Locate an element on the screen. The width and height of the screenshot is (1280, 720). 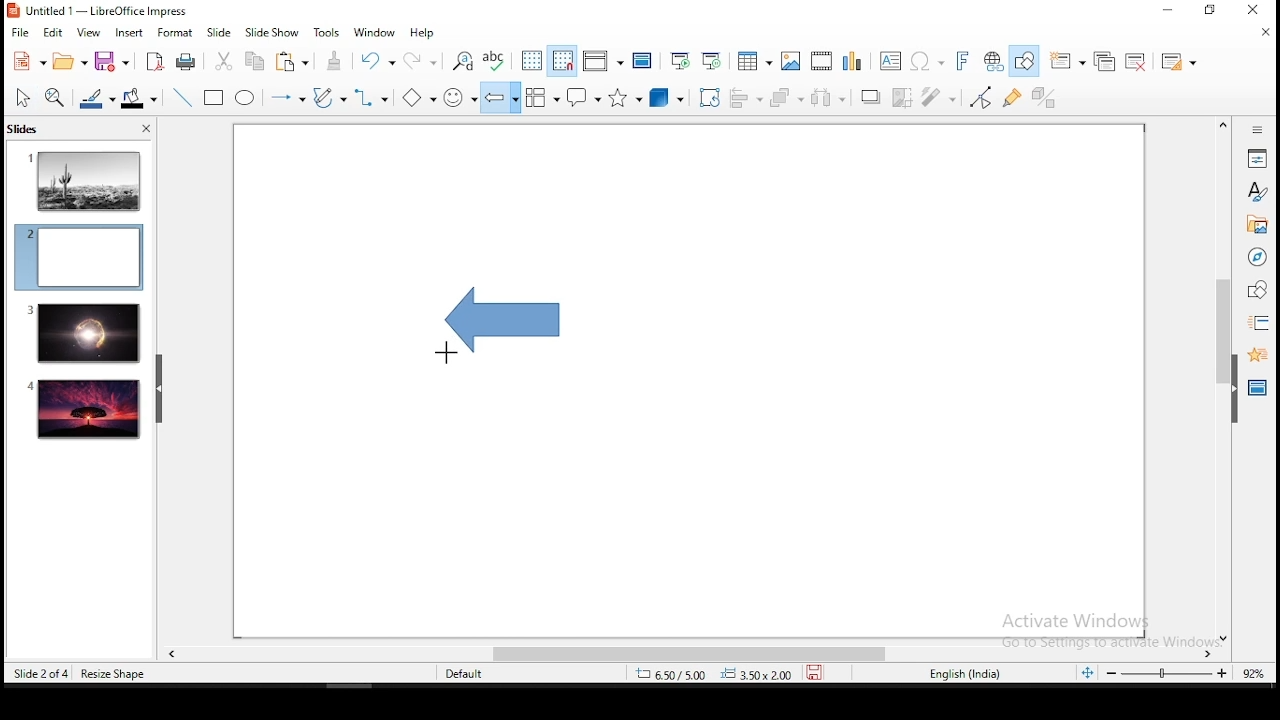
slide is located at coordinates (82, 333).